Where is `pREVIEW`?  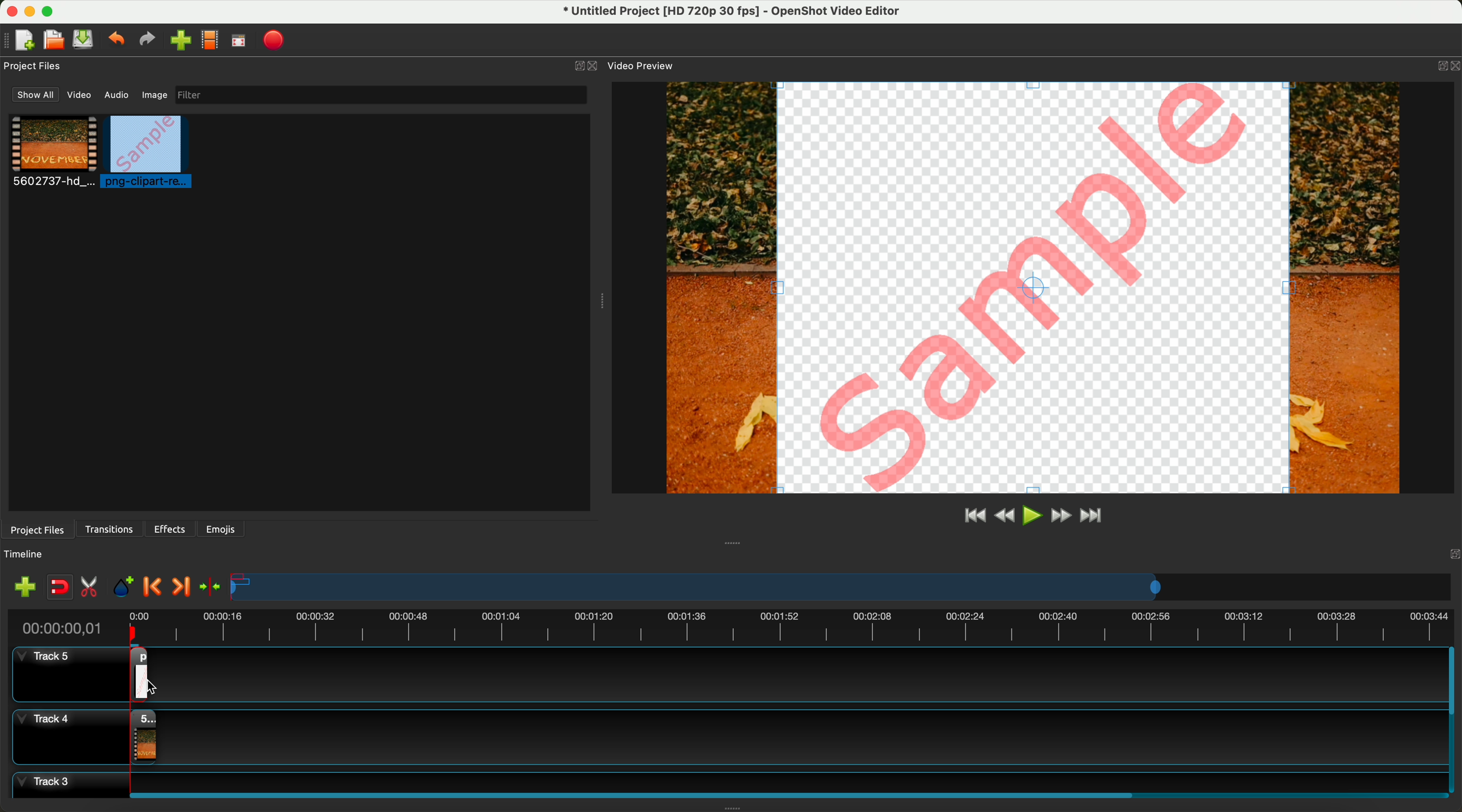 pREVIEW is located at coordinates (1039, 287).